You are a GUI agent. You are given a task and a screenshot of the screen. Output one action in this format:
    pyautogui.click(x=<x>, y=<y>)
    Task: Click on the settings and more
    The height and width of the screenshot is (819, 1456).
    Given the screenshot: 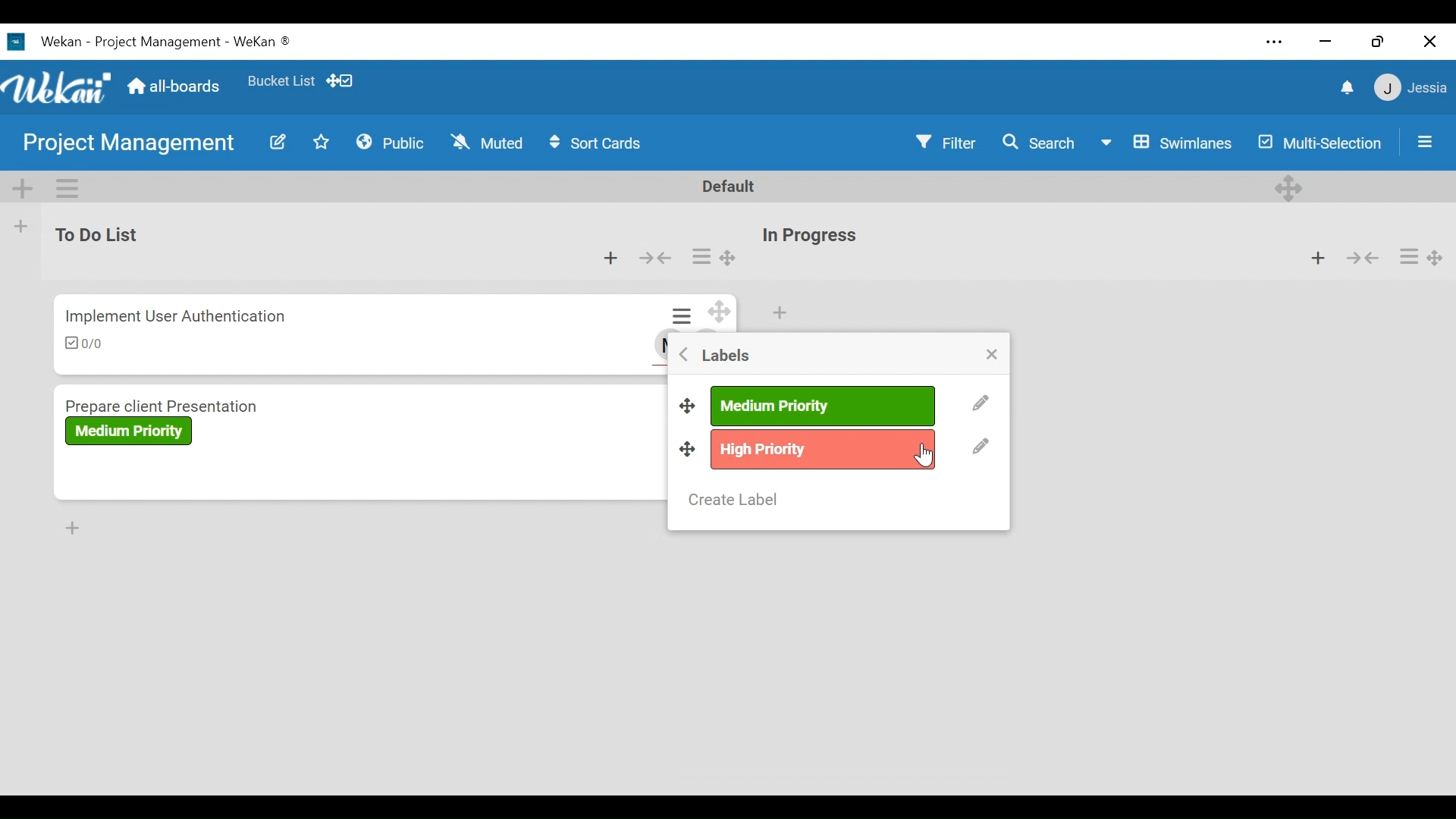 What is the action you would take?
    pyautogui.click(x=1277, y=43)
    